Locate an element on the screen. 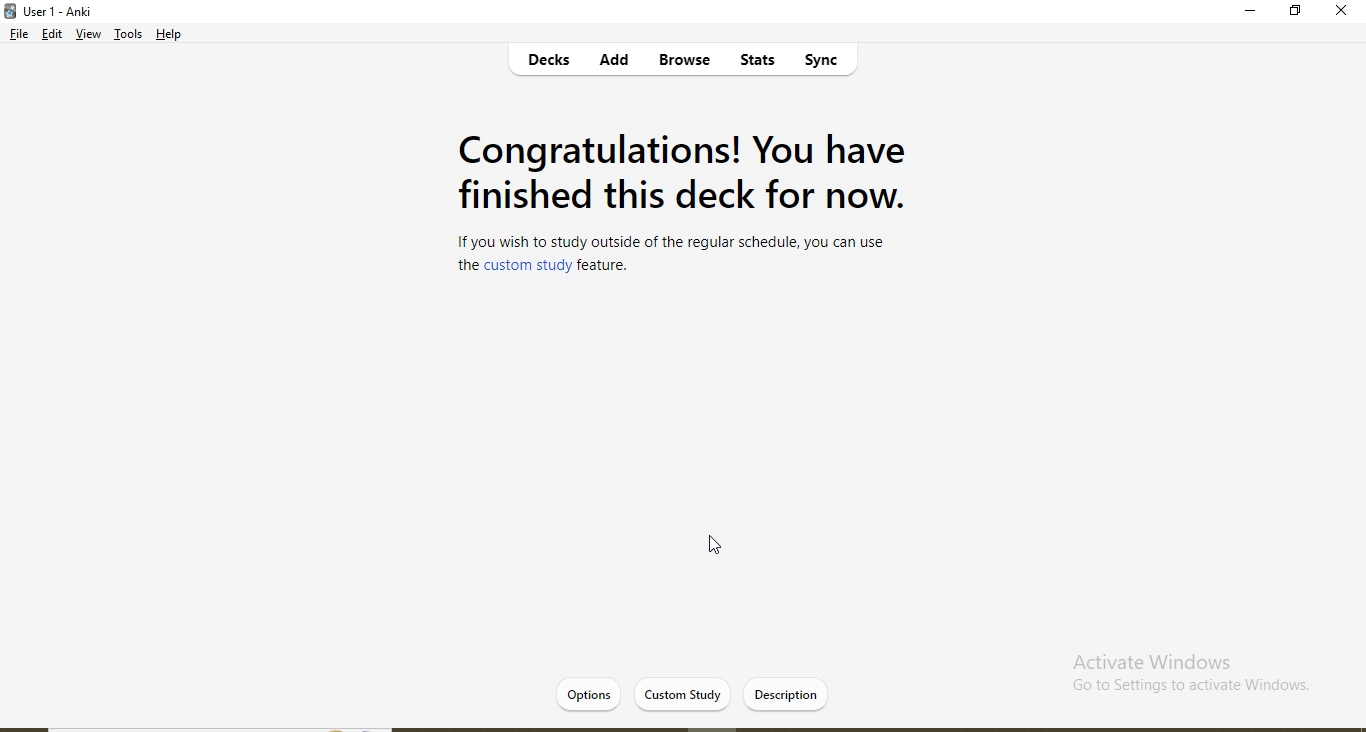  browse is located at coordinates (682, 61).